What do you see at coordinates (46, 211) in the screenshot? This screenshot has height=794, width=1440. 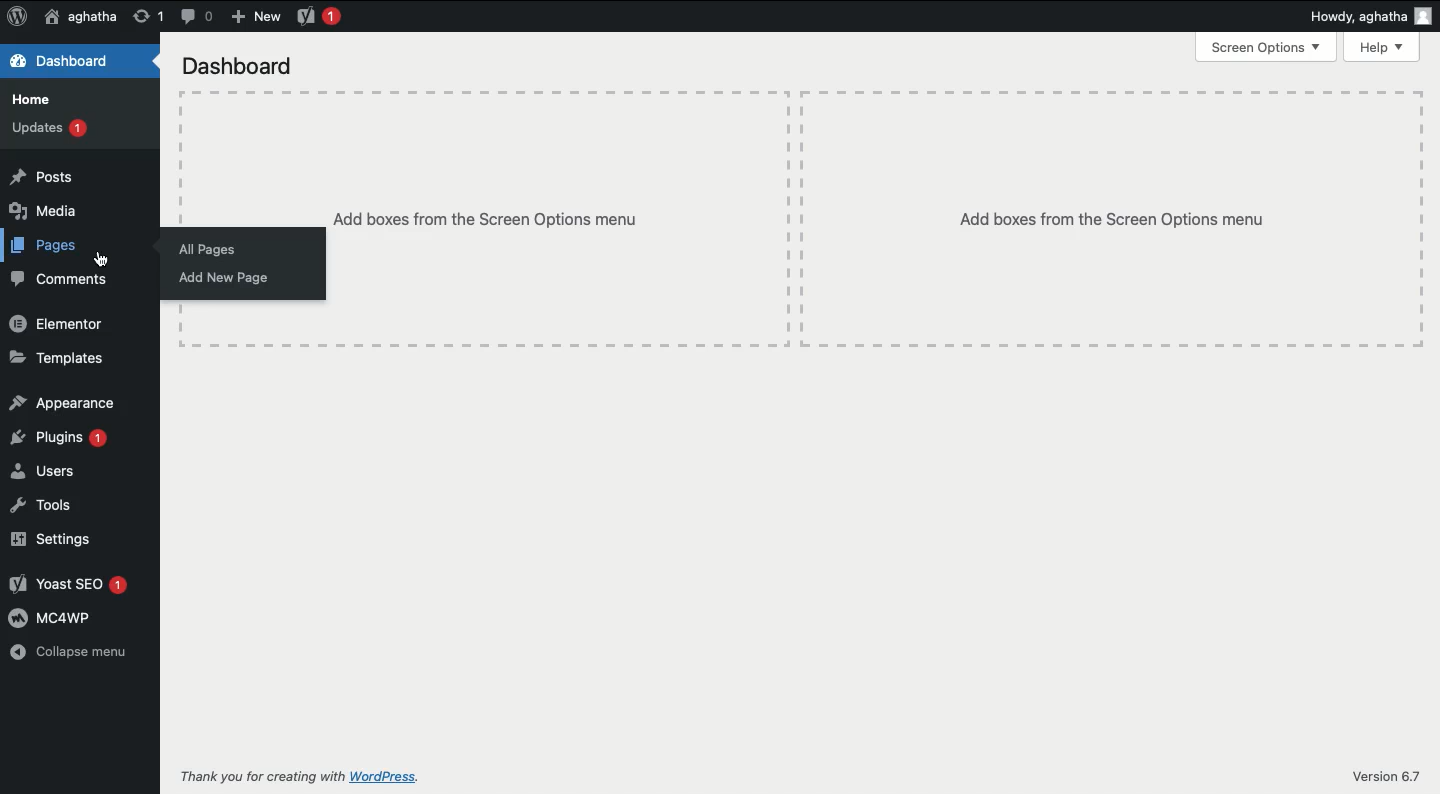 I see `Media` at bounding box center [46, 211].